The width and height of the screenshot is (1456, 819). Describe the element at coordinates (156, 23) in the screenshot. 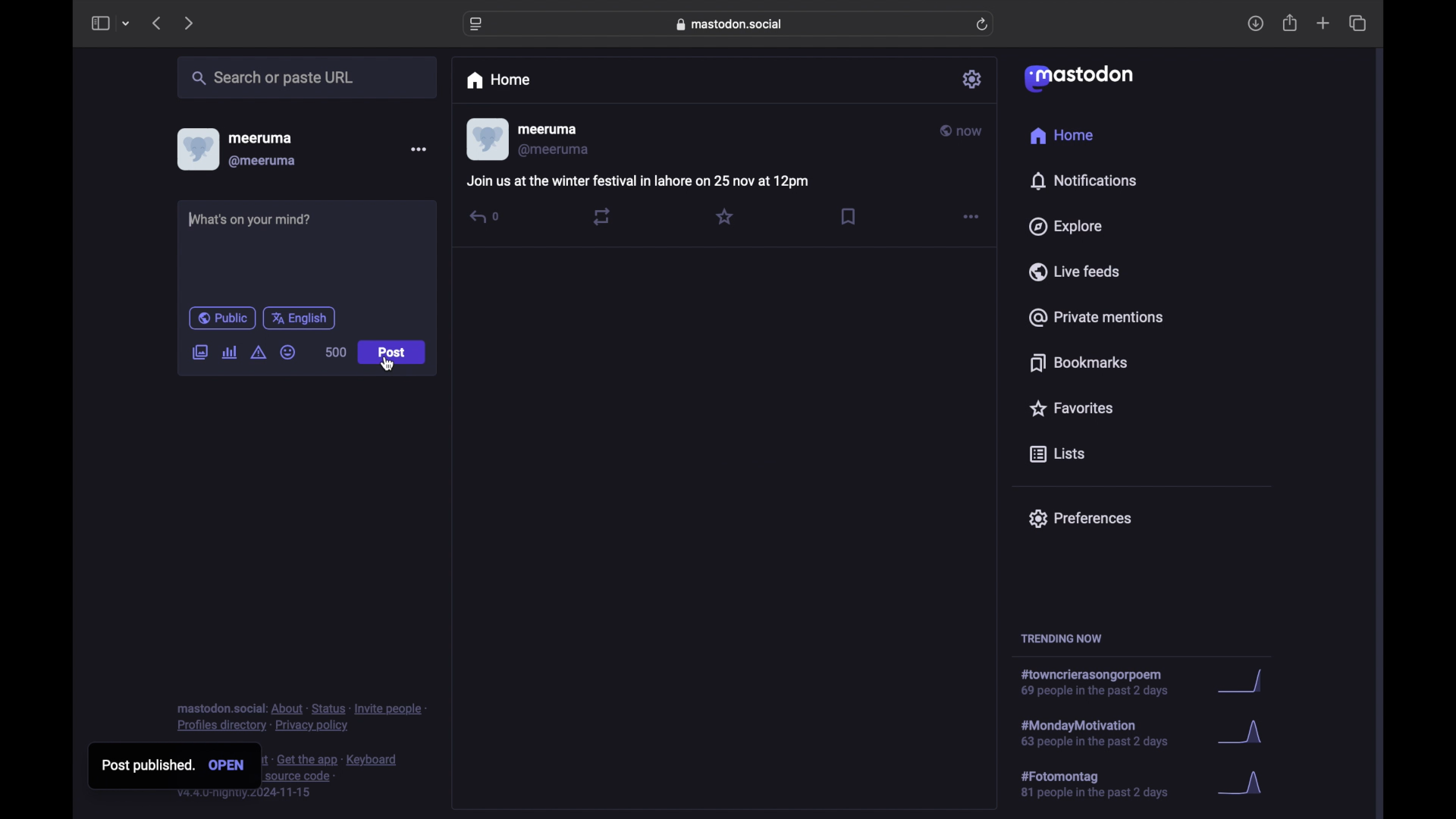

I see `previous` at that location.